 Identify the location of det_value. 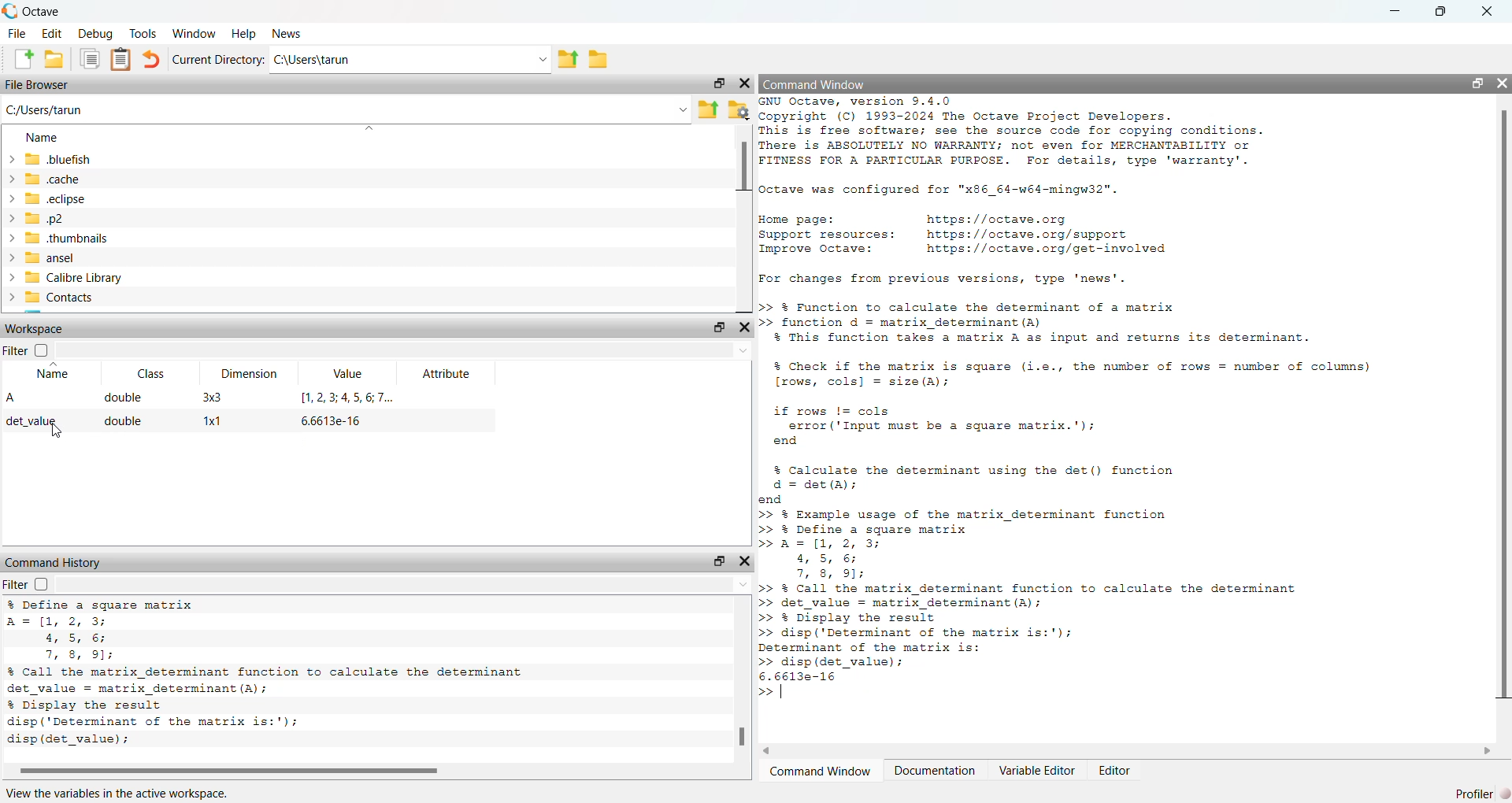
(35, 421).